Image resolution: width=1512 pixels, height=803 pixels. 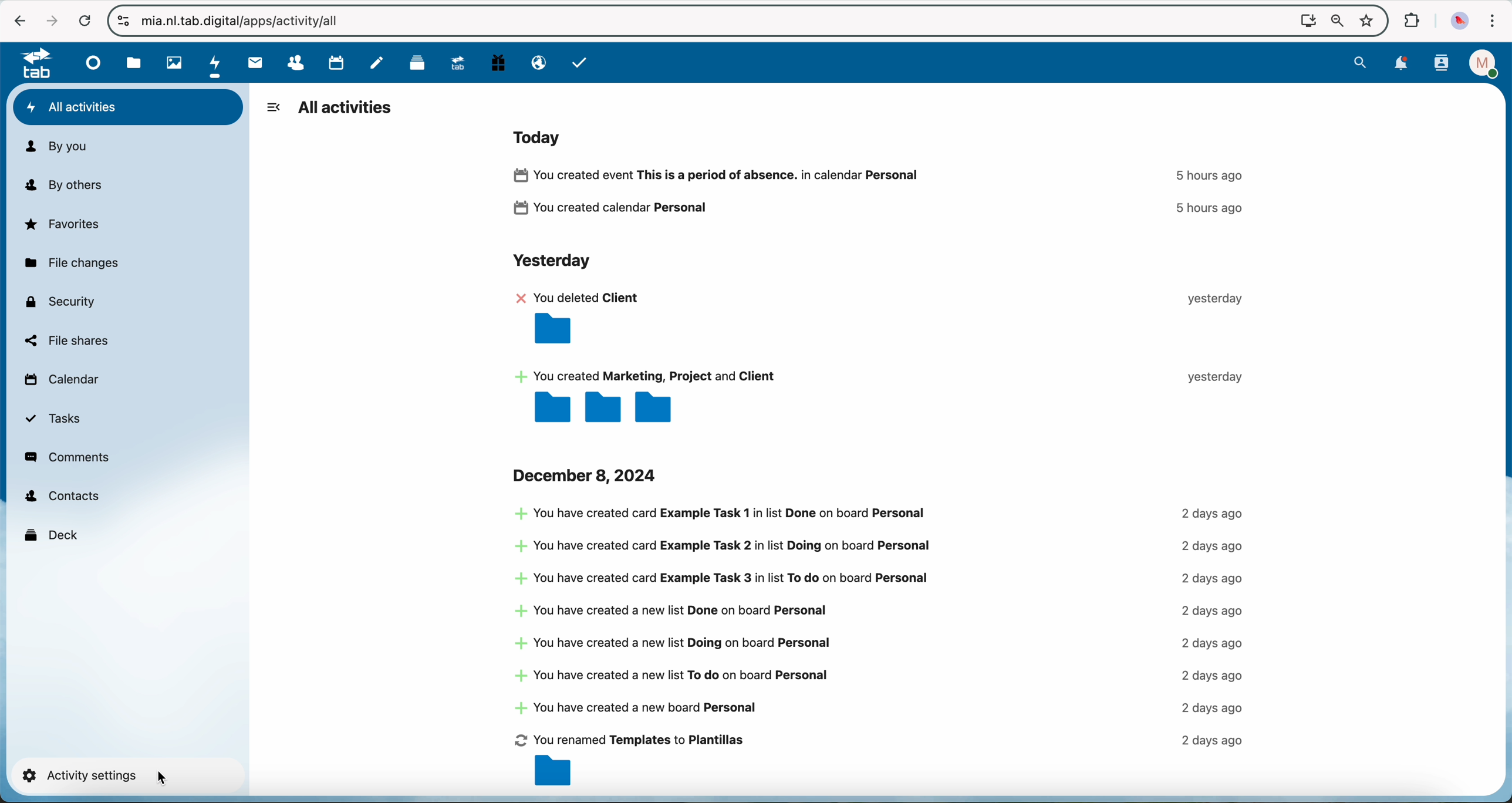 I want to click on deck, so click(x=53, y=534).